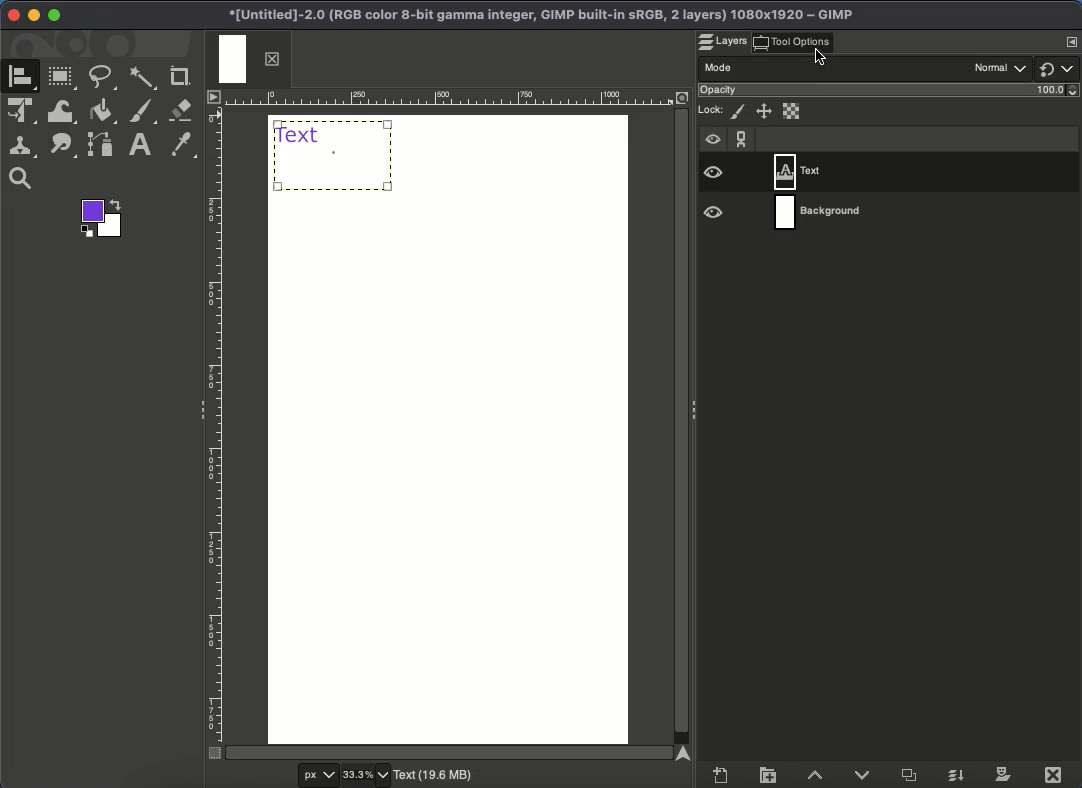  I want to click on Scroll, so click(453, 751).